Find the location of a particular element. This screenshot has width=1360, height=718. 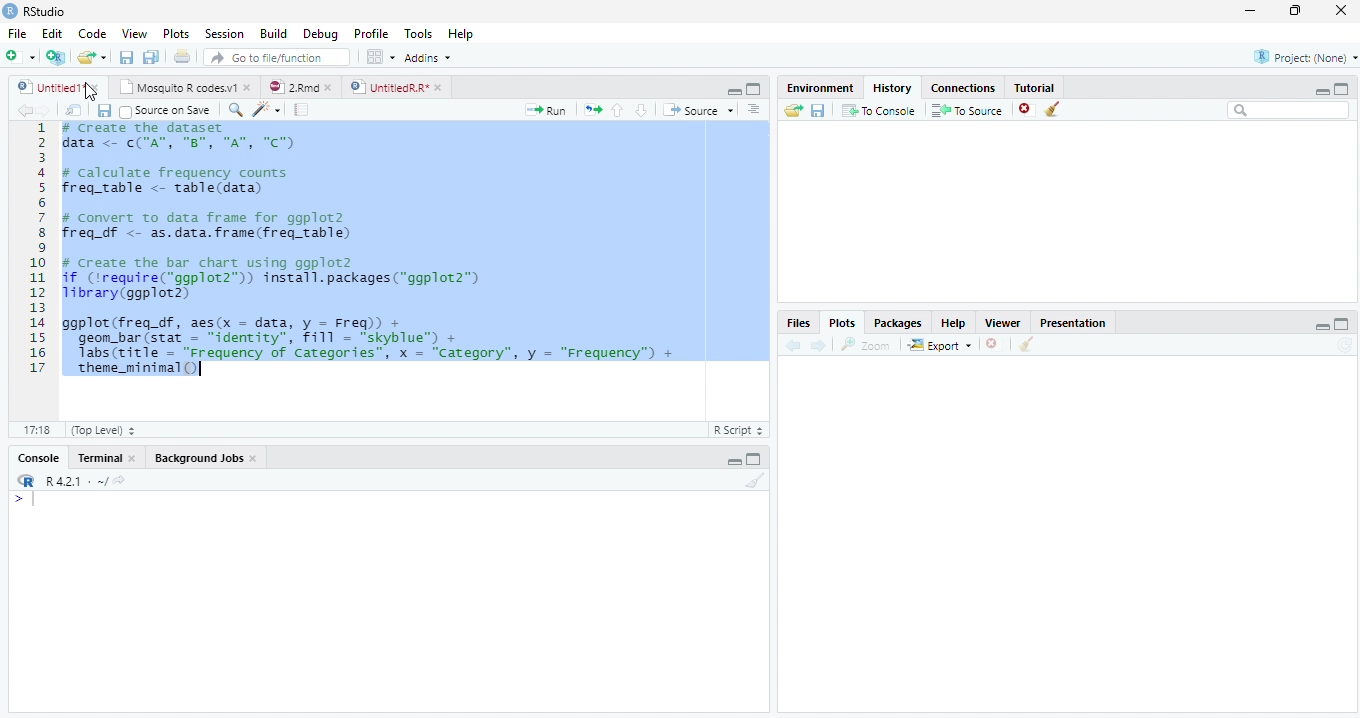

Workspace panes is located at coordinates (378, 57).